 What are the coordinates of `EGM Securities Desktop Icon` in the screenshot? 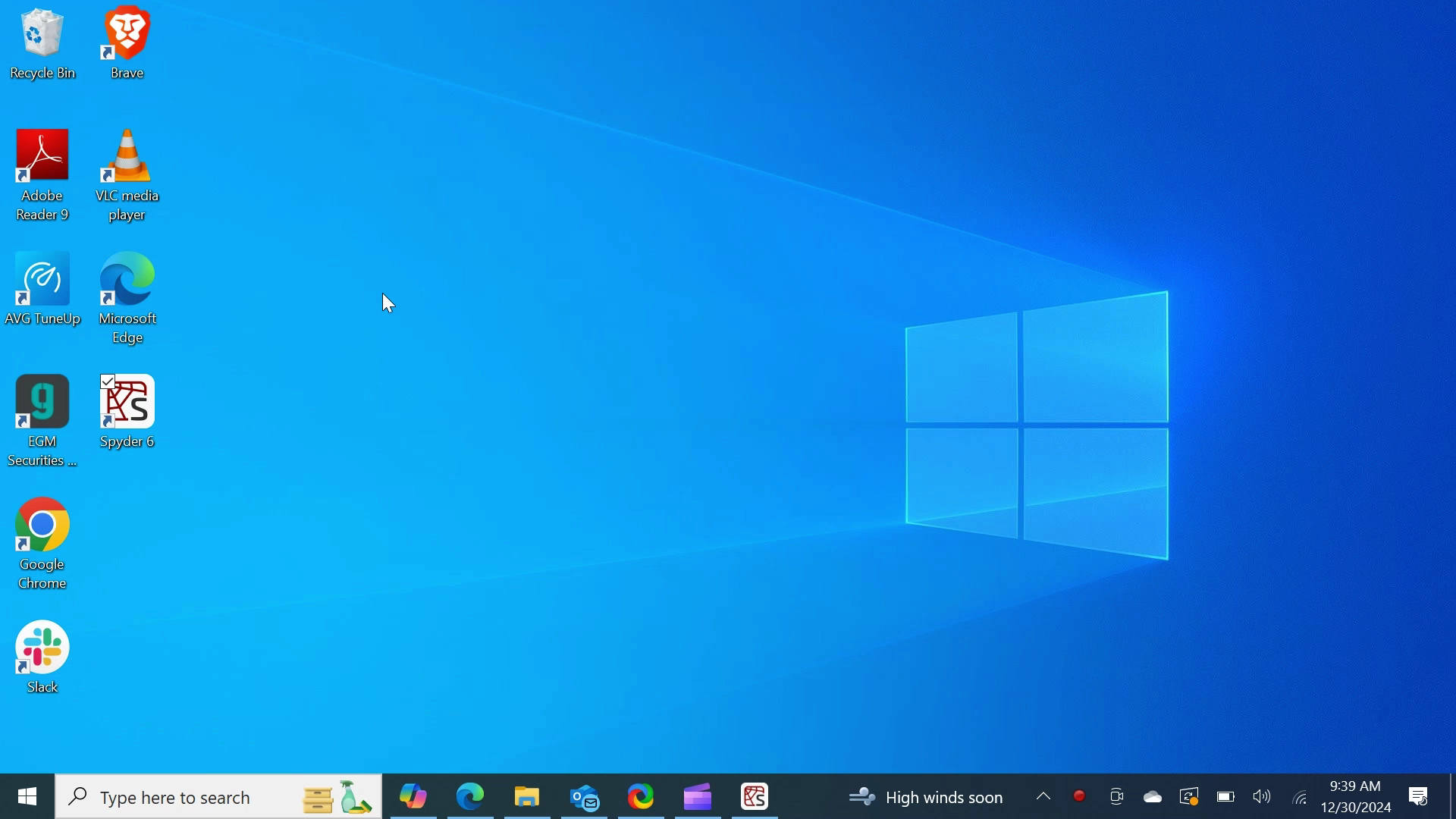 It's located at (42, 422).